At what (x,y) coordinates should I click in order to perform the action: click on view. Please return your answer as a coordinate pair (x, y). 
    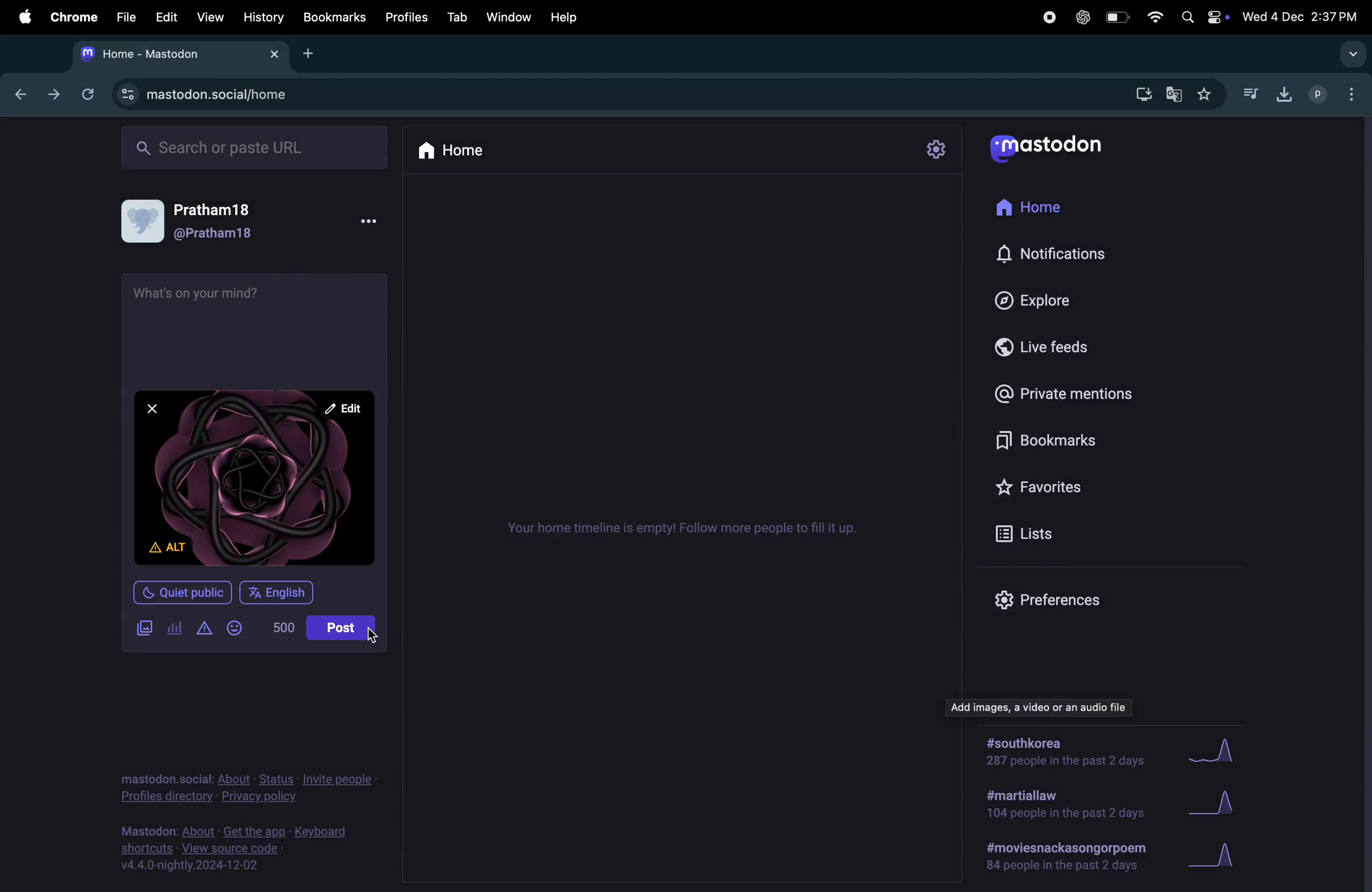
    Looking at the image, I should click on (209, 17).